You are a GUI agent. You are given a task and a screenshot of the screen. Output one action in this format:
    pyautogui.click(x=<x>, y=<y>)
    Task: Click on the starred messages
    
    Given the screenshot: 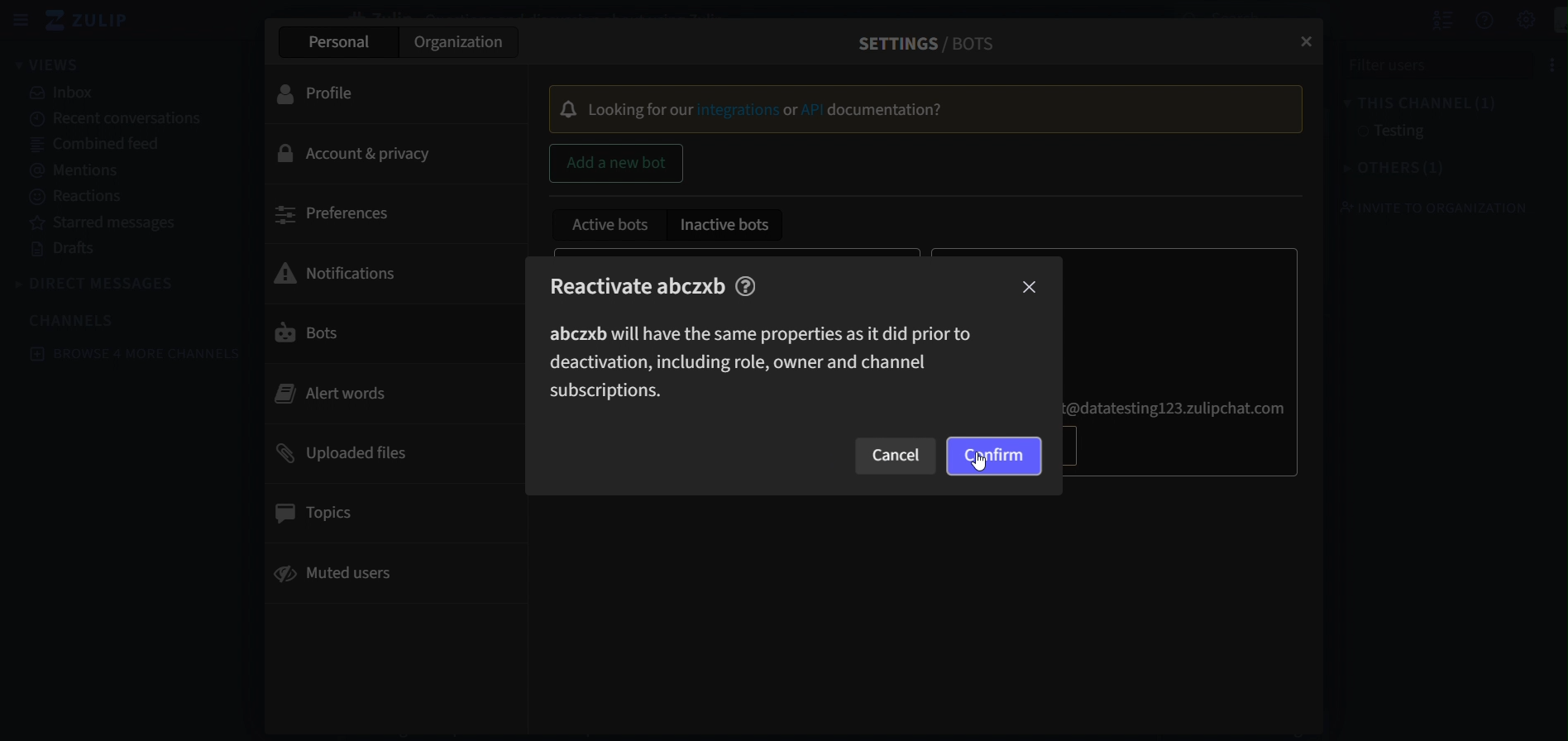 What is the action you would take?
    pyautogui.click(x=107, y=222)
    